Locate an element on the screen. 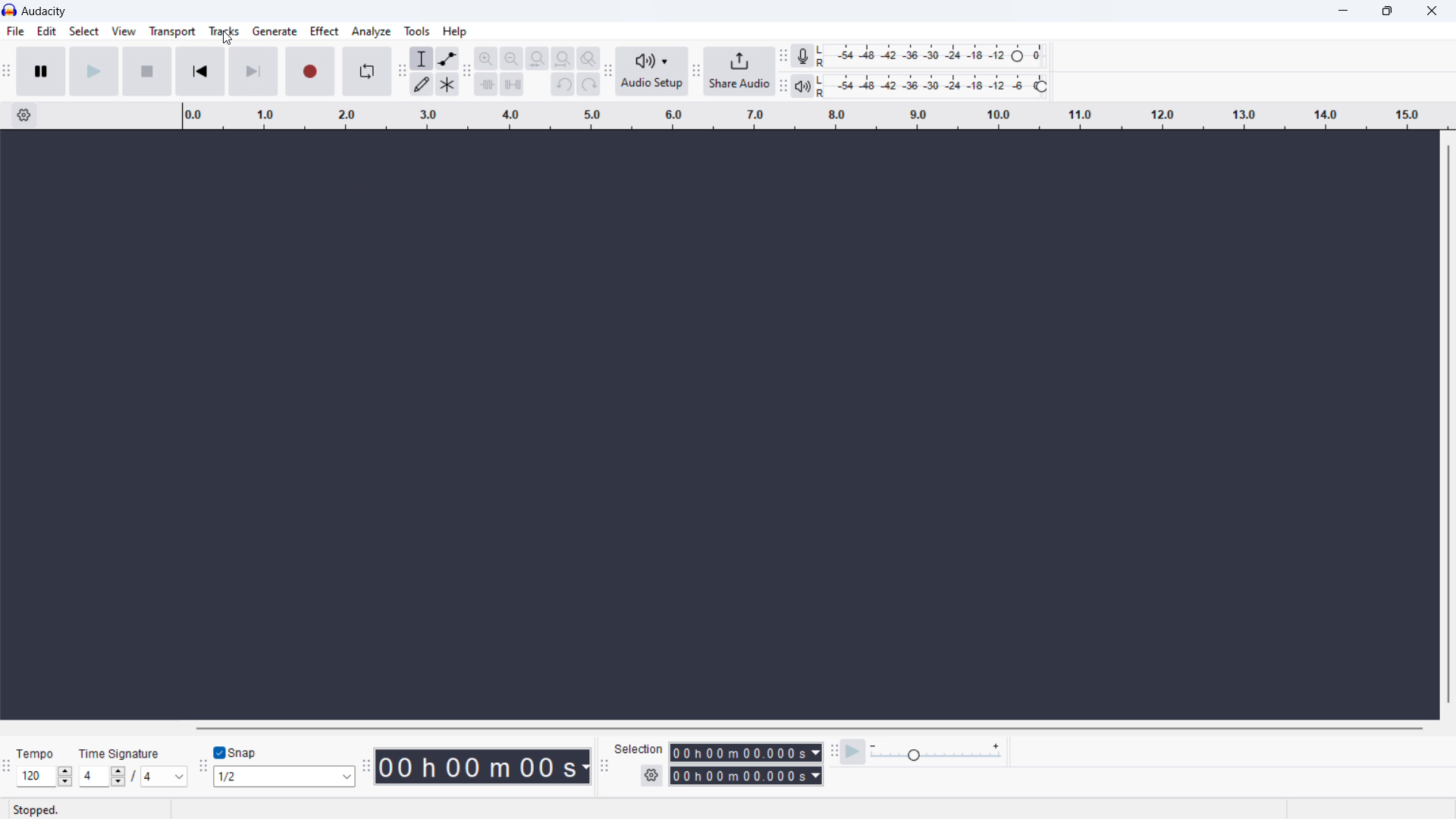 The image size is (1456, 819). minimize is located at coordinates (1340, 12).